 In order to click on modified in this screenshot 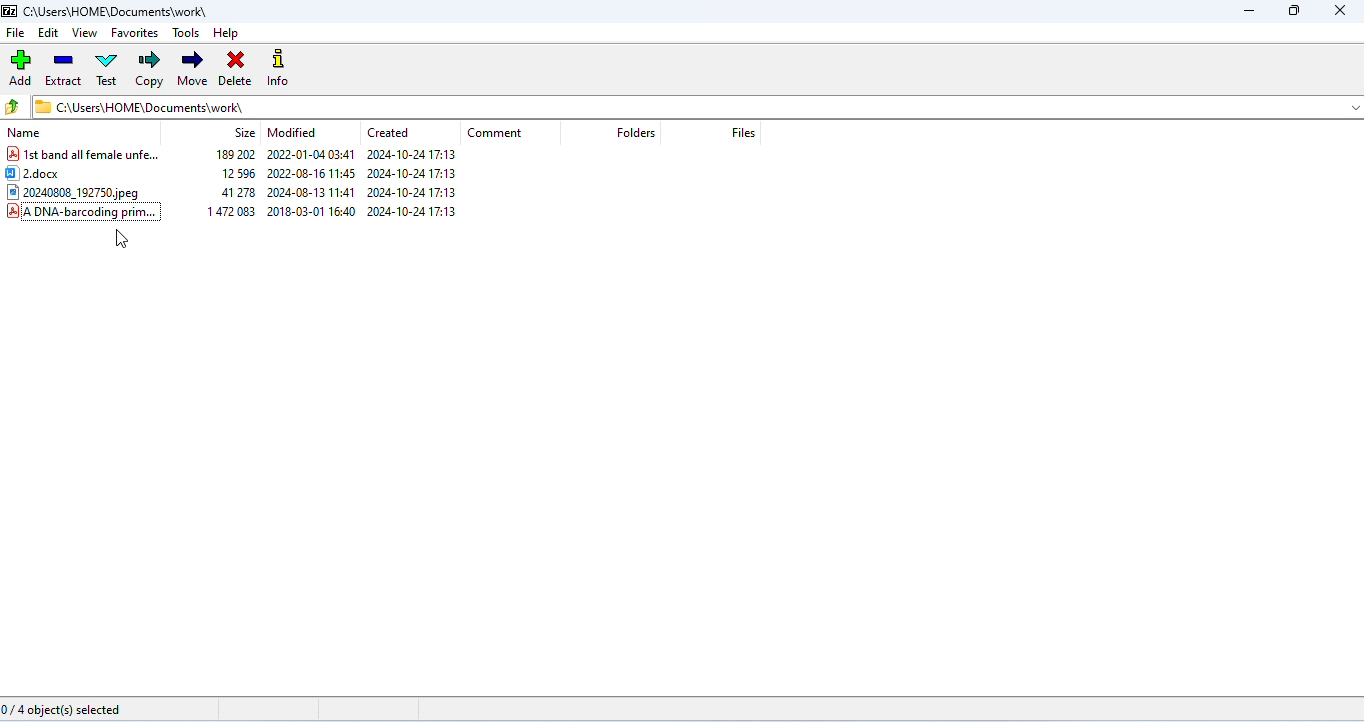, I will do `click(293, 132)`.